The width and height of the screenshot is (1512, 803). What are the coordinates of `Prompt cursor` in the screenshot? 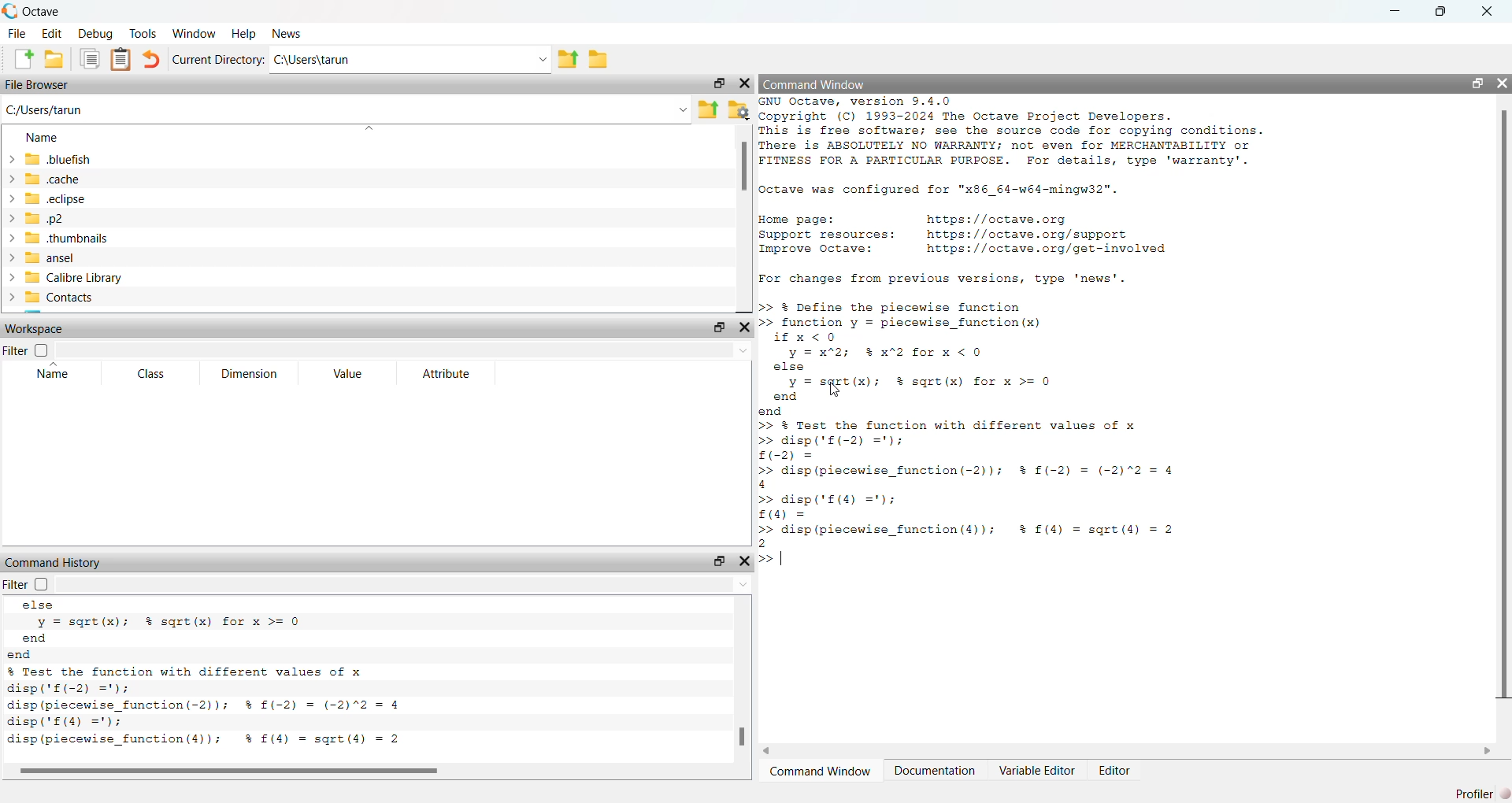 It's located at (771, 561).